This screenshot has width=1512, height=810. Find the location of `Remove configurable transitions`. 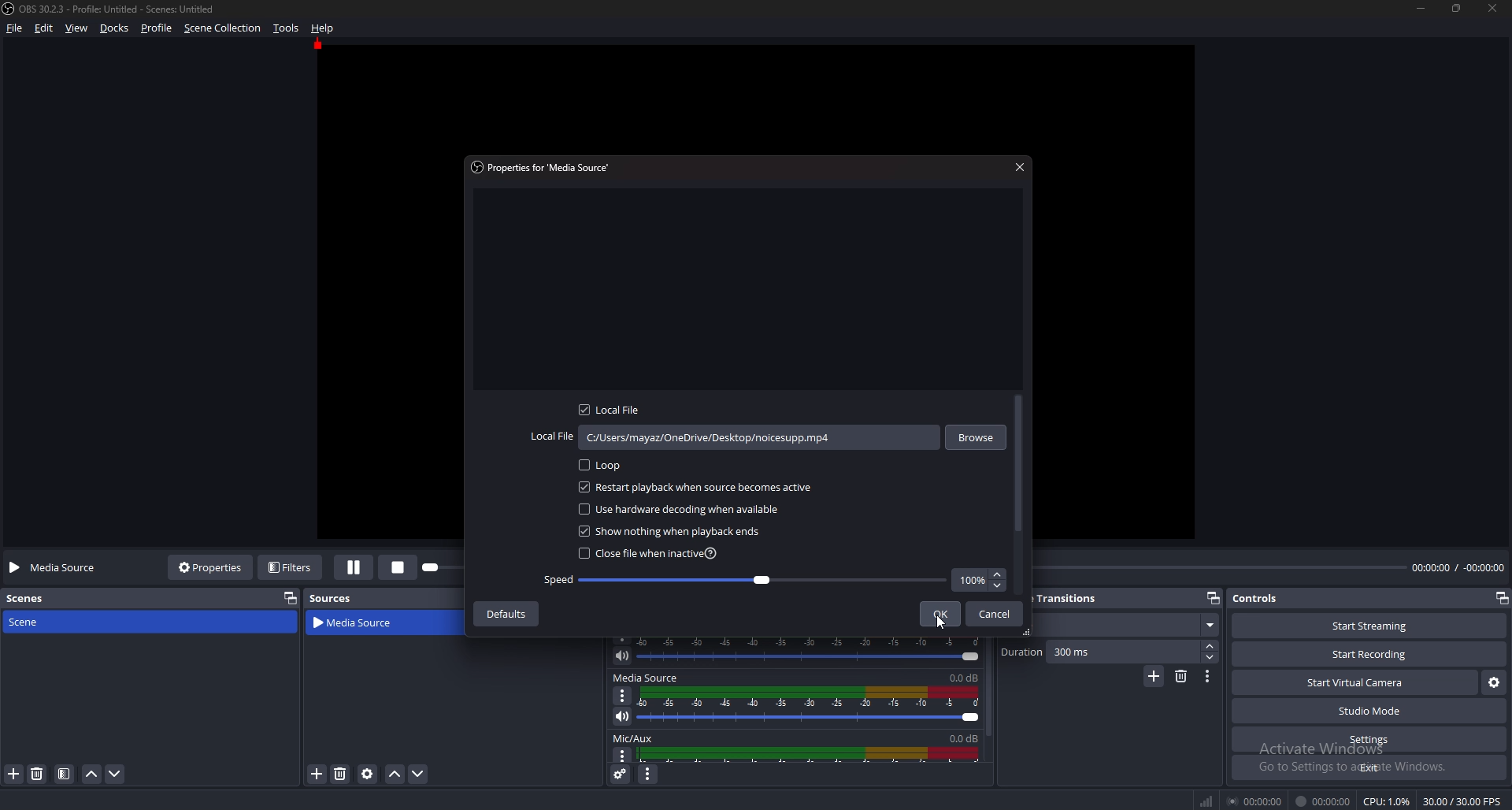

Remove configurable transitions is located at coordinates (1182, 675).